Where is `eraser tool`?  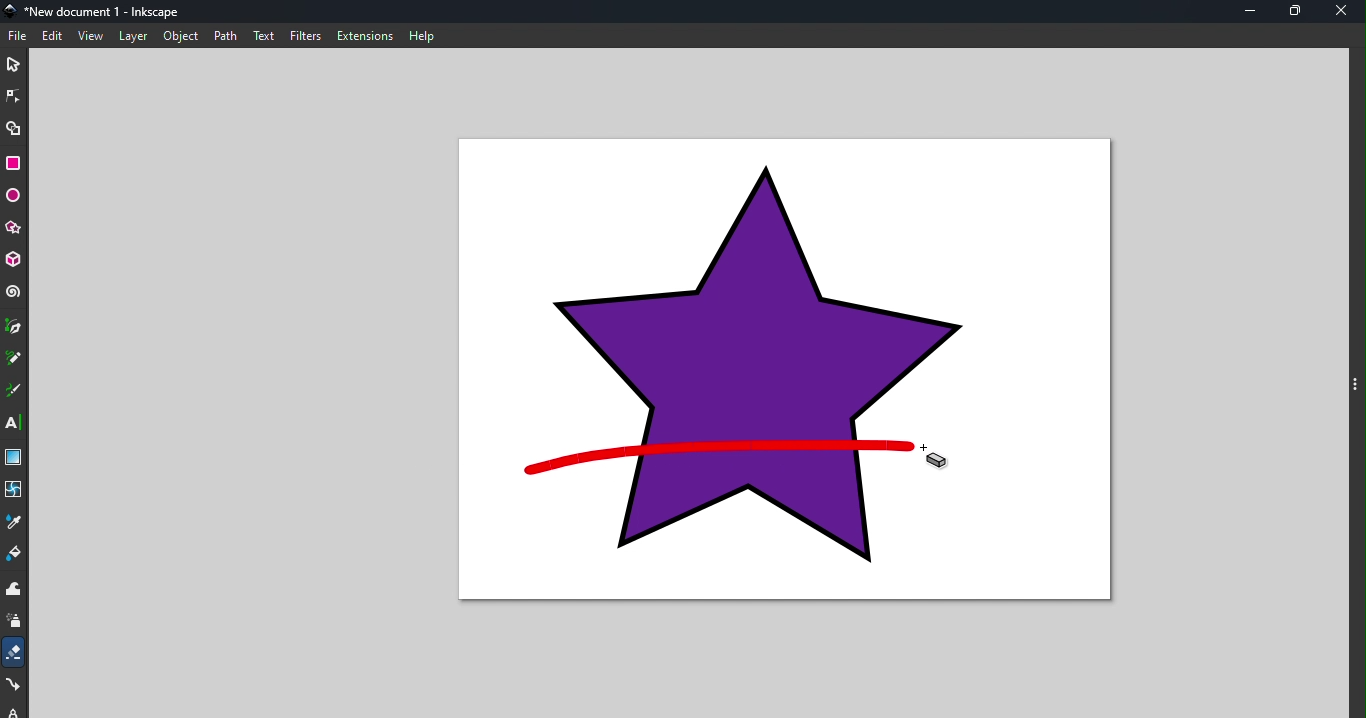 eraser tool is located at coordinates (15, 652).